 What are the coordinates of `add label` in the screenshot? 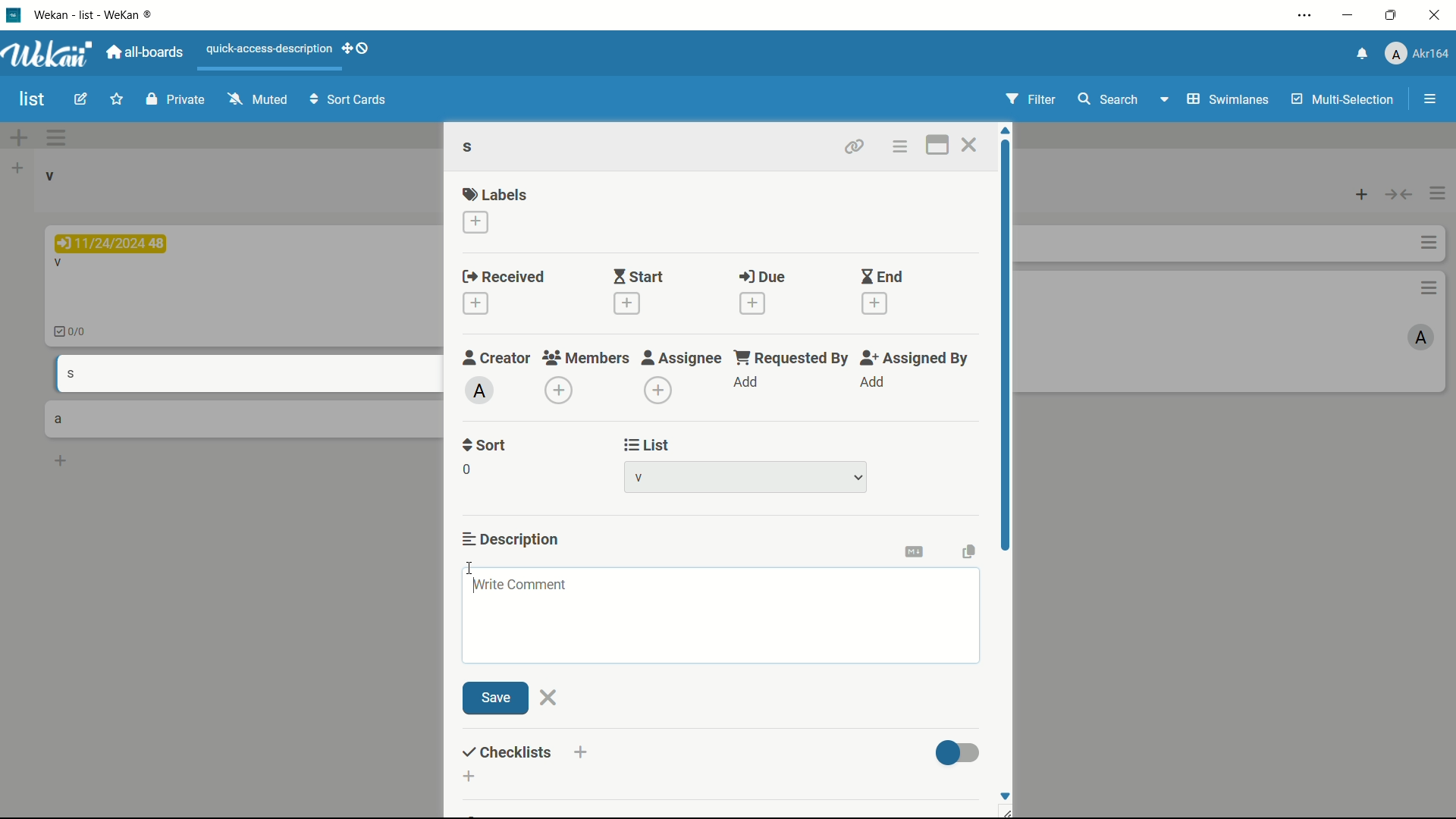 It's located at (475, 222).